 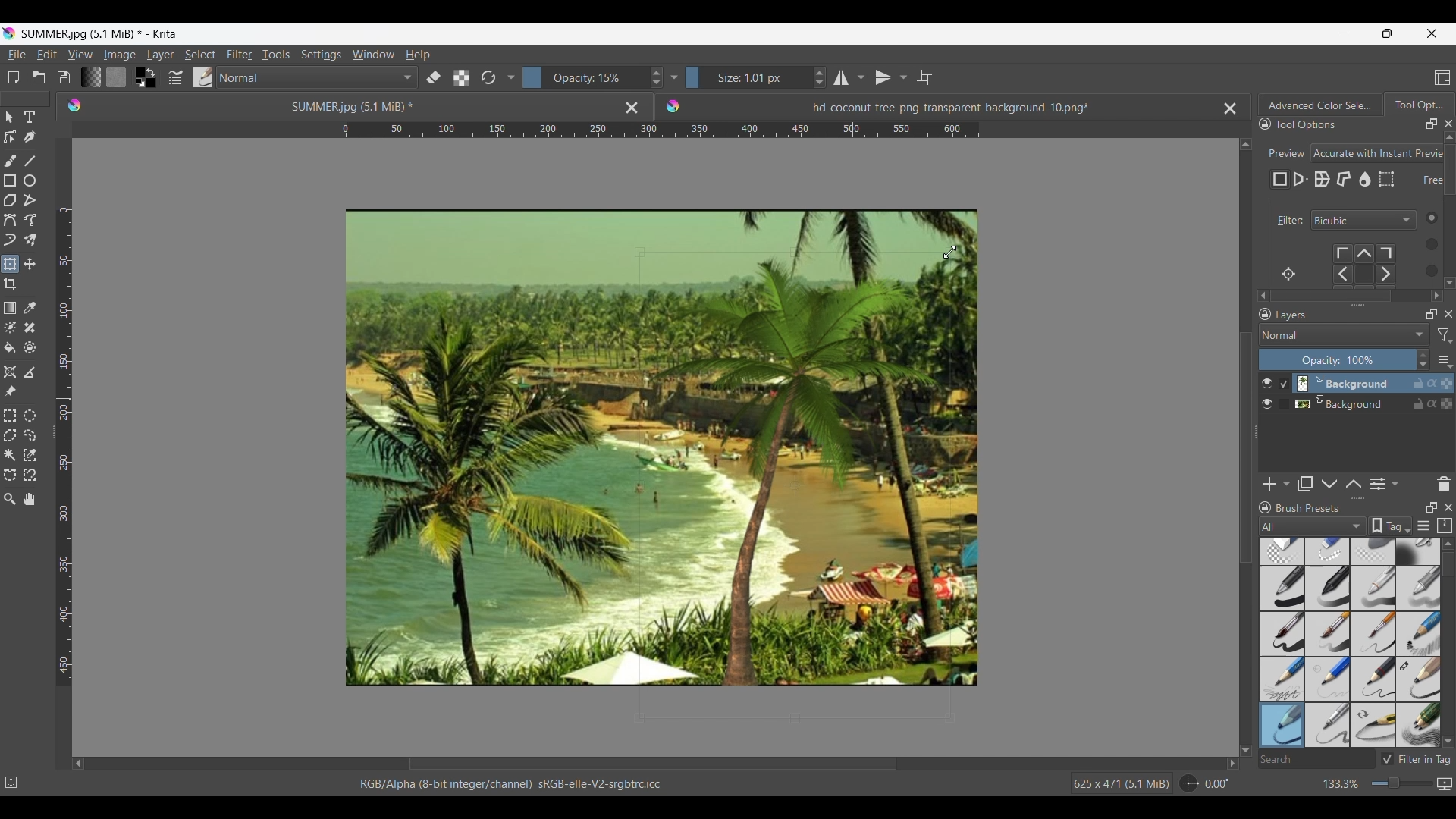 What do you see at coordinates (1270, 484) in the screenshot?
I see `Add new layer` at bounding box center [1270, 484].